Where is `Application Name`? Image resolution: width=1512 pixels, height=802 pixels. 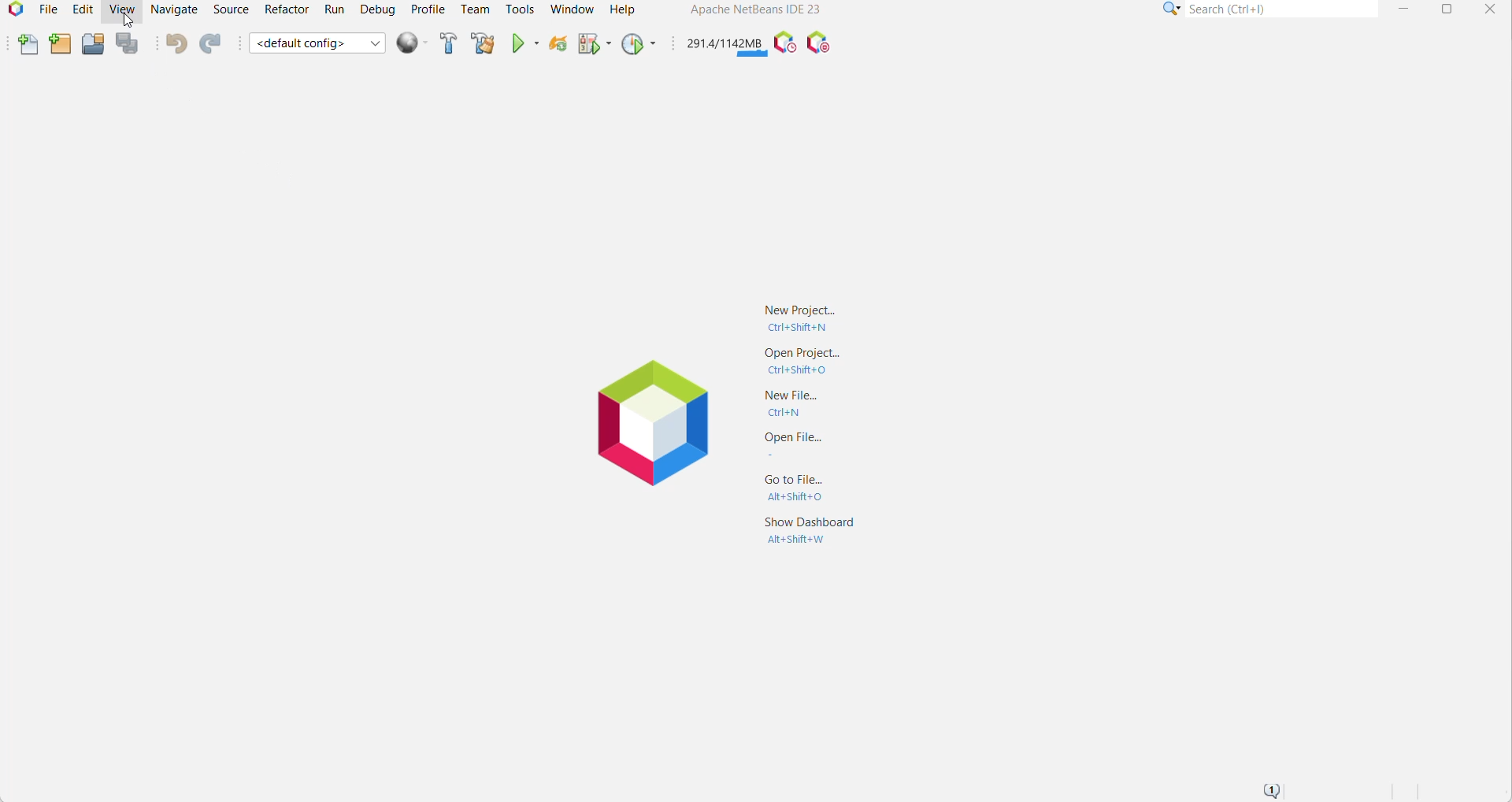
Application Name is located at coordinates (754, 9).